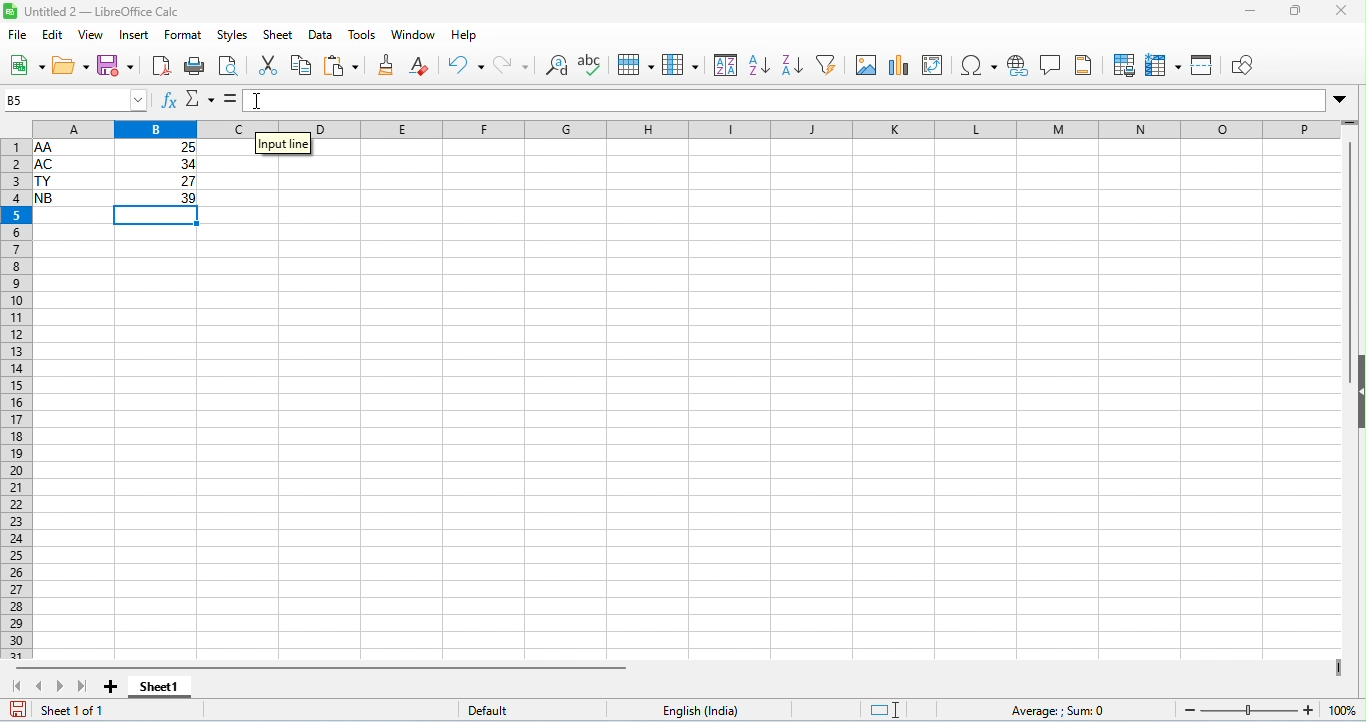 The image size is (1366, 722). What do you see at coordinates (114, 687) in the screenshot?
I see `add sheet` at bounding box center [114, 687].